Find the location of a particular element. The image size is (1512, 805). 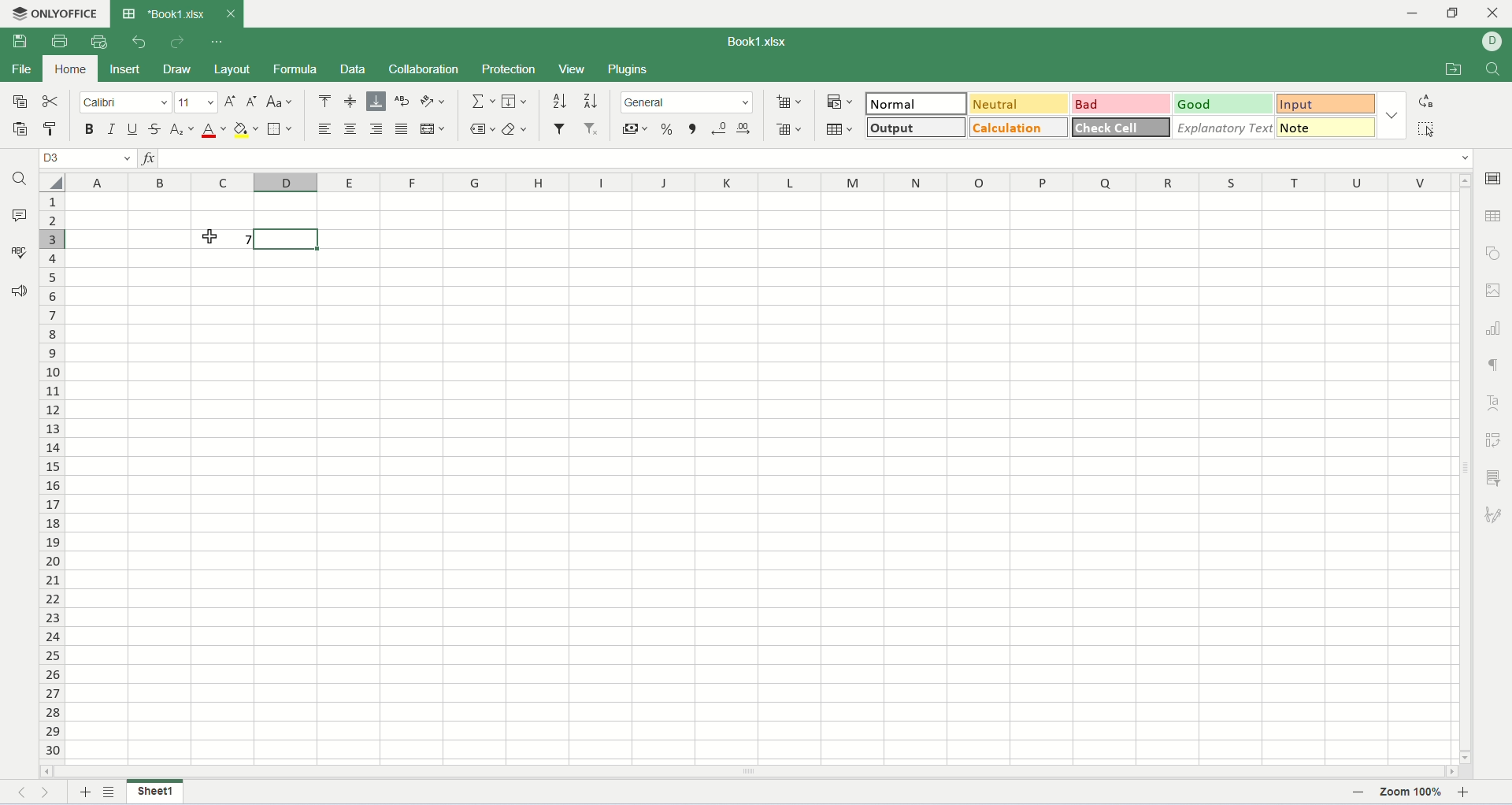

font size is located at coordinates (197, 102).